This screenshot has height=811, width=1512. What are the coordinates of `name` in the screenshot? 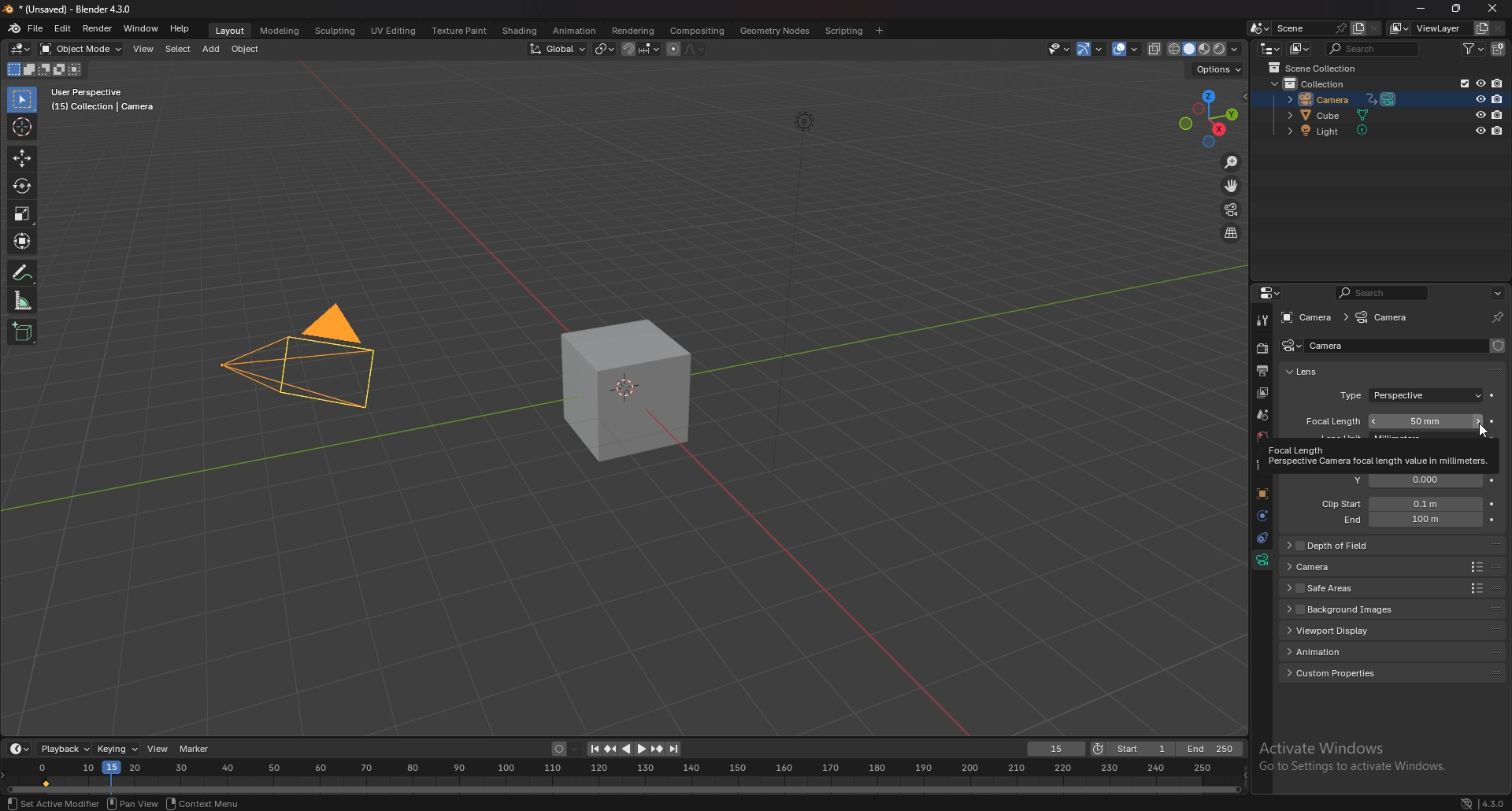 It's located at (1336, 346).